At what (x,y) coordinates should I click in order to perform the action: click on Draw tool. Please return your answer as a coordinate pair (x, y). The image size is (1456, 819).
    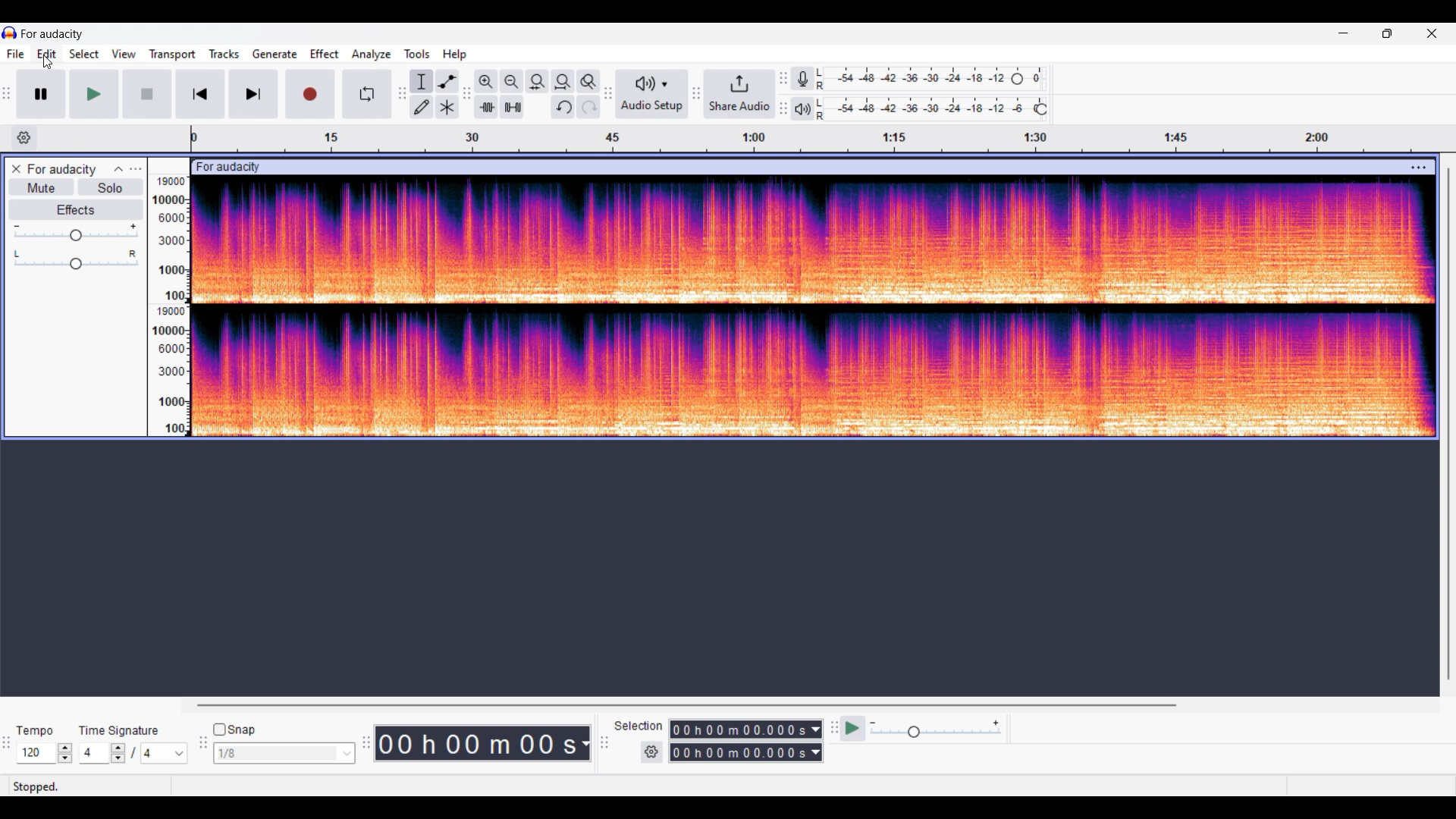
    Looking at the image, I should click on (422, 107).